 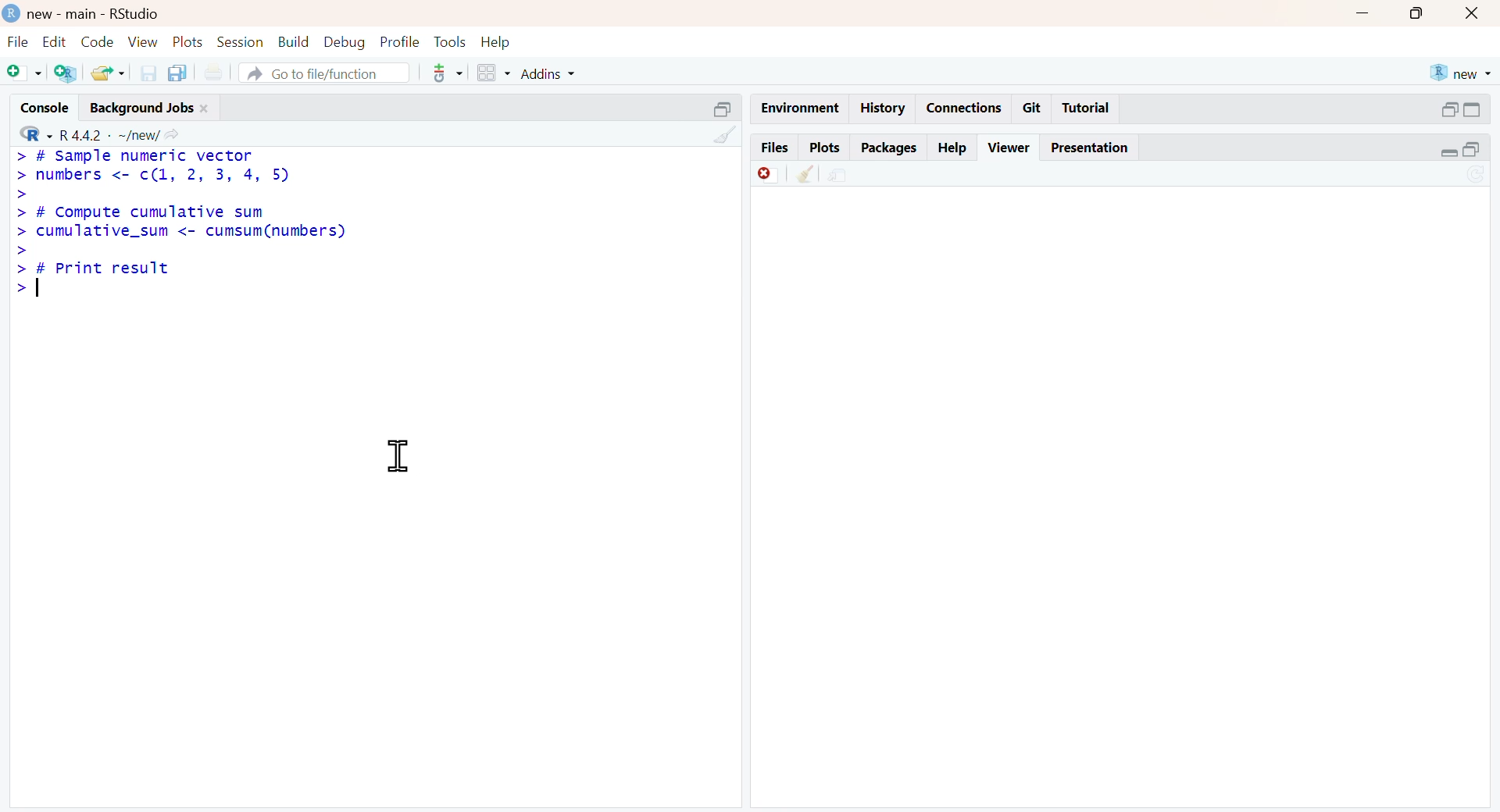 What do you see at coordinates (806, 173) in the screenshot?
I see `clear console` at bounding box center [806, 173].